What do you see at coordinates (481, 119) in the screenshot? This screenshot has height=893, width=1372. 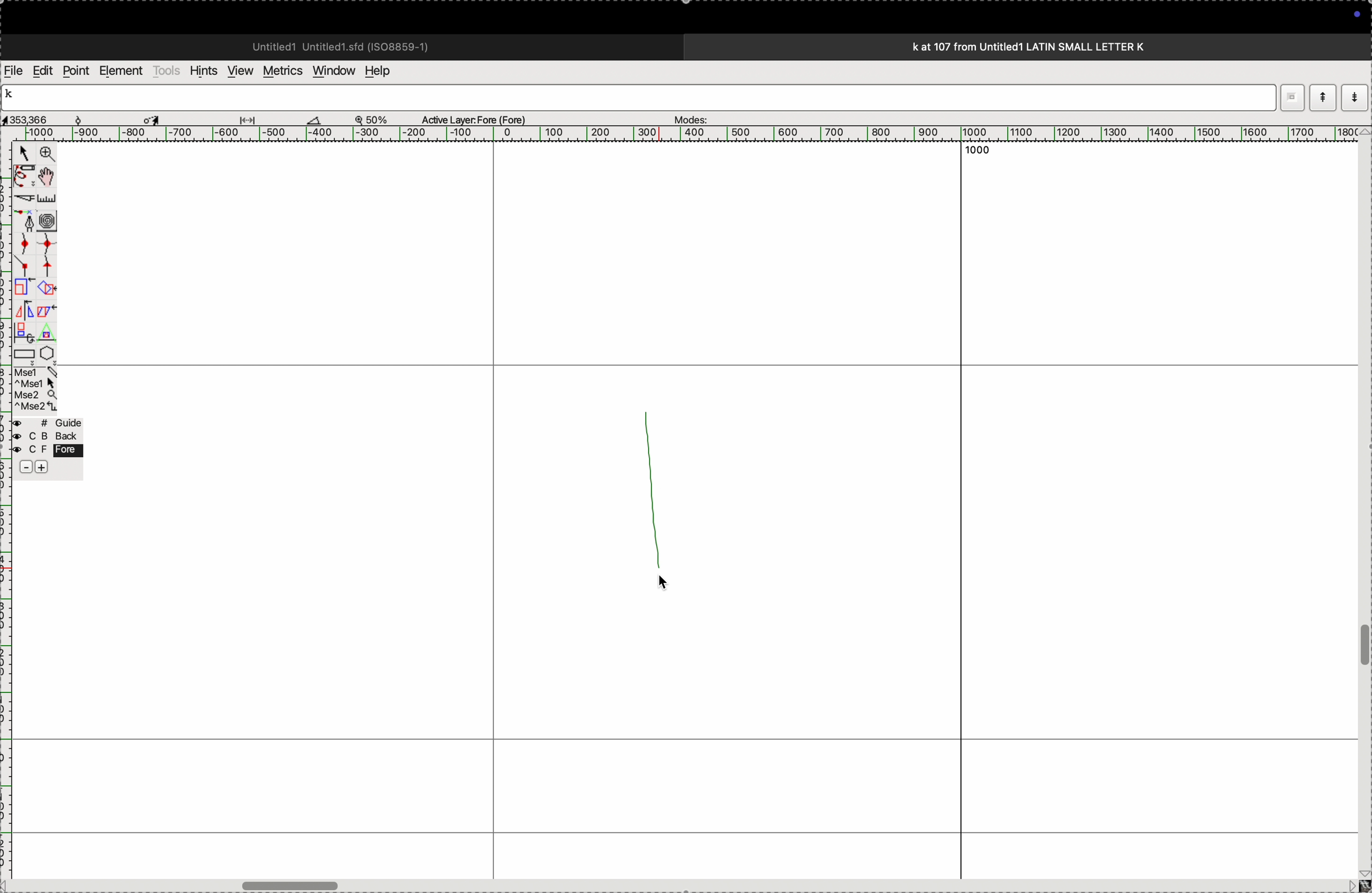 I see `active kayer` at bounding box center [481, 119].